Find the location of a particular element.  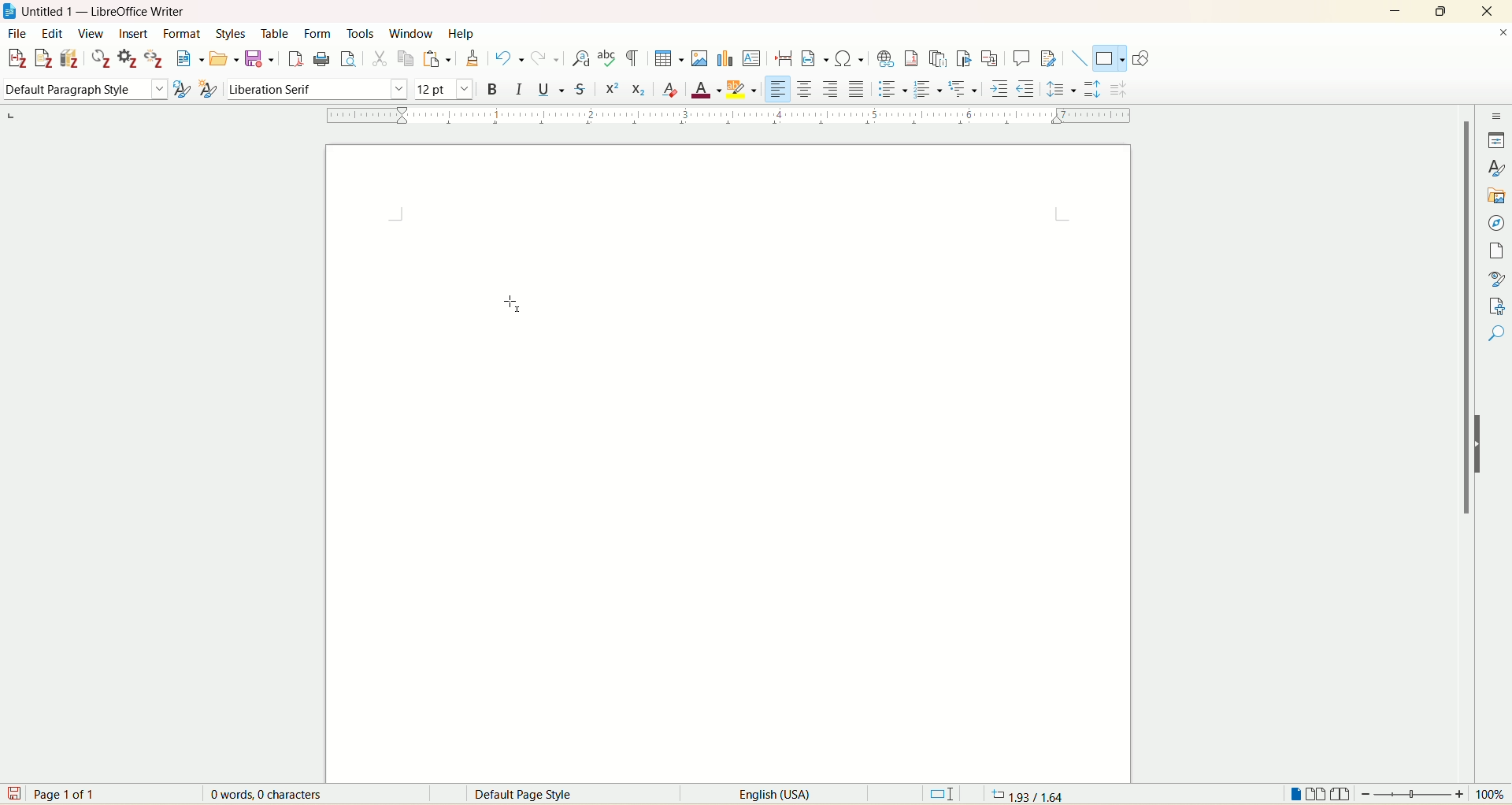

find is located at coordinates (1497, 362).